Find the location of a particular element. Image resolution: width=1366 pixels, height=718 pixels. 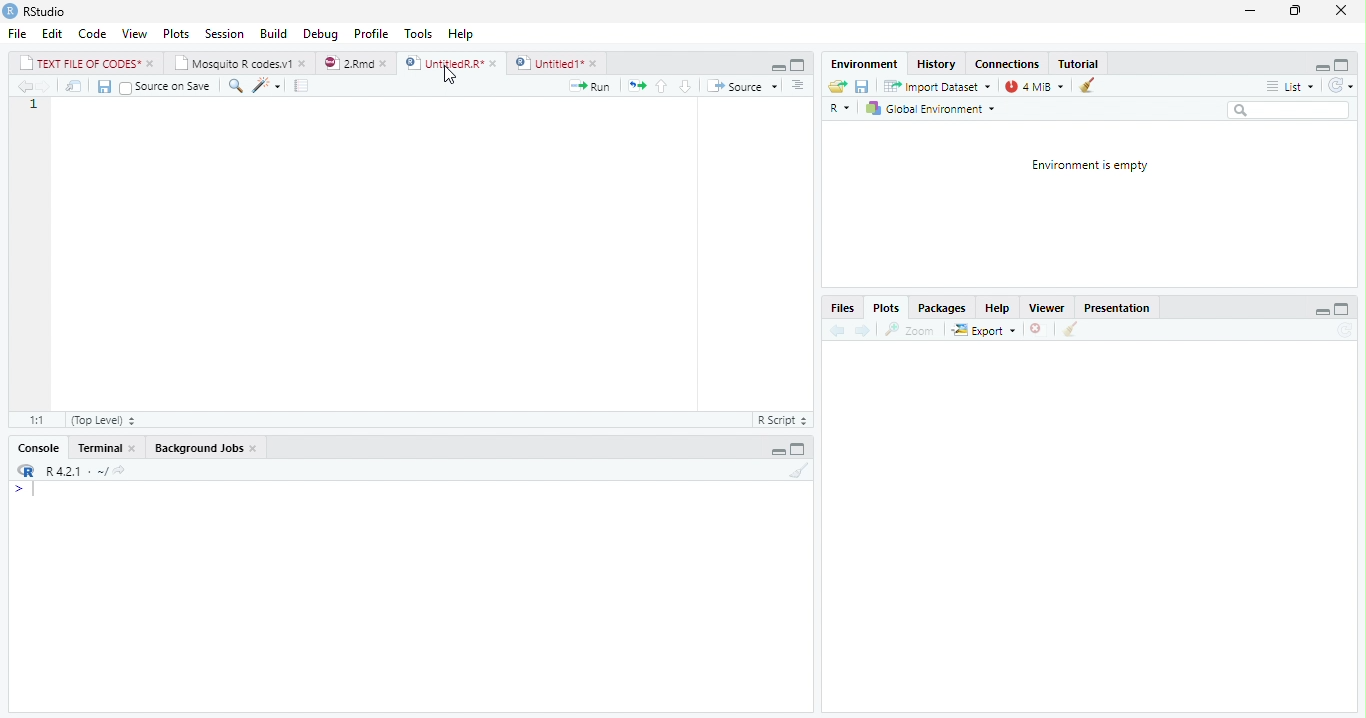

Source  is located at coordinates (748, 87).